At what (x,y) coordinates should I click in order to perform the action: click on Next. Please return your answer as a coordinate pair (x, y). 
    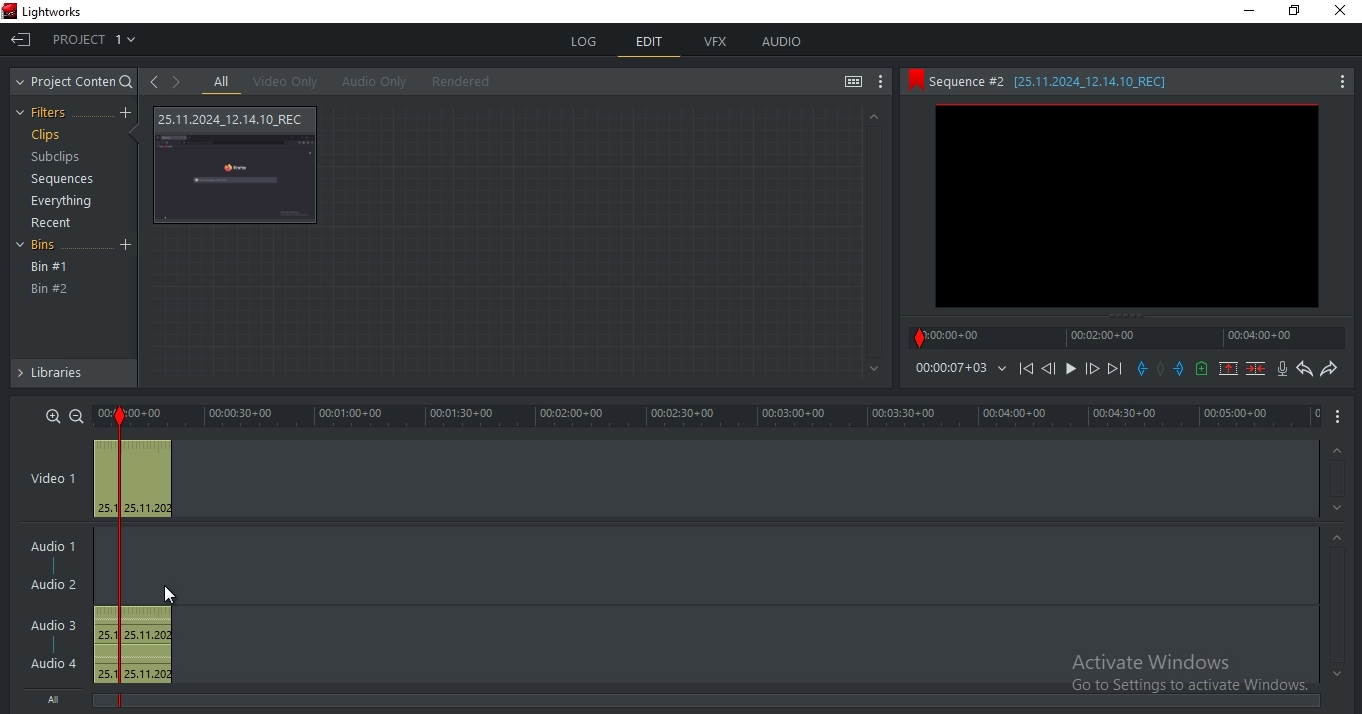
    Looking at the image, I should click on (1117, 368).